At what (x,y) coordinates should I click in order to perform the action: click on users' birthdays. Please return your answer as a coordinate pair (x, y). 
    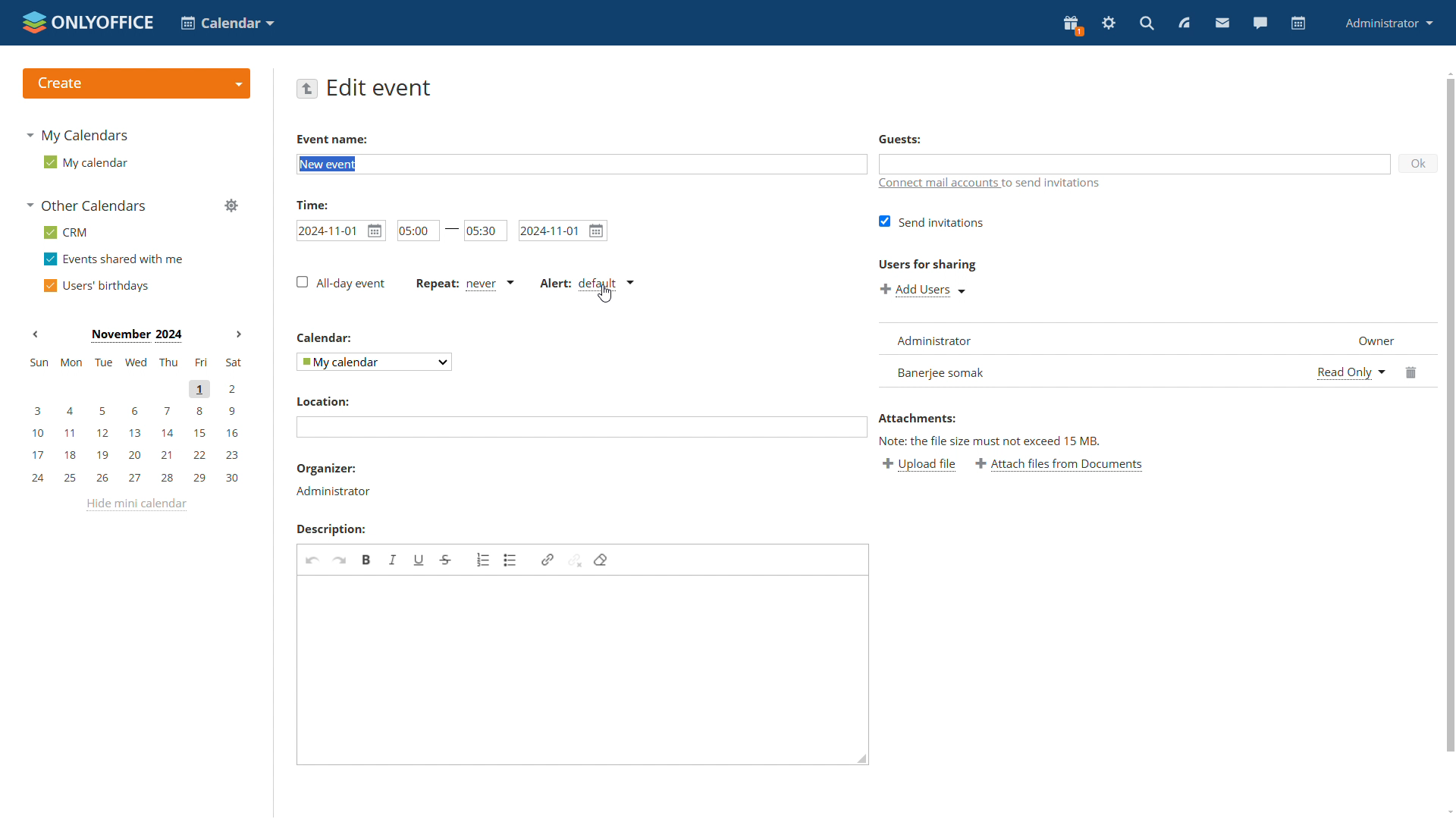
    Looking at the image, I should click on (99, 287).